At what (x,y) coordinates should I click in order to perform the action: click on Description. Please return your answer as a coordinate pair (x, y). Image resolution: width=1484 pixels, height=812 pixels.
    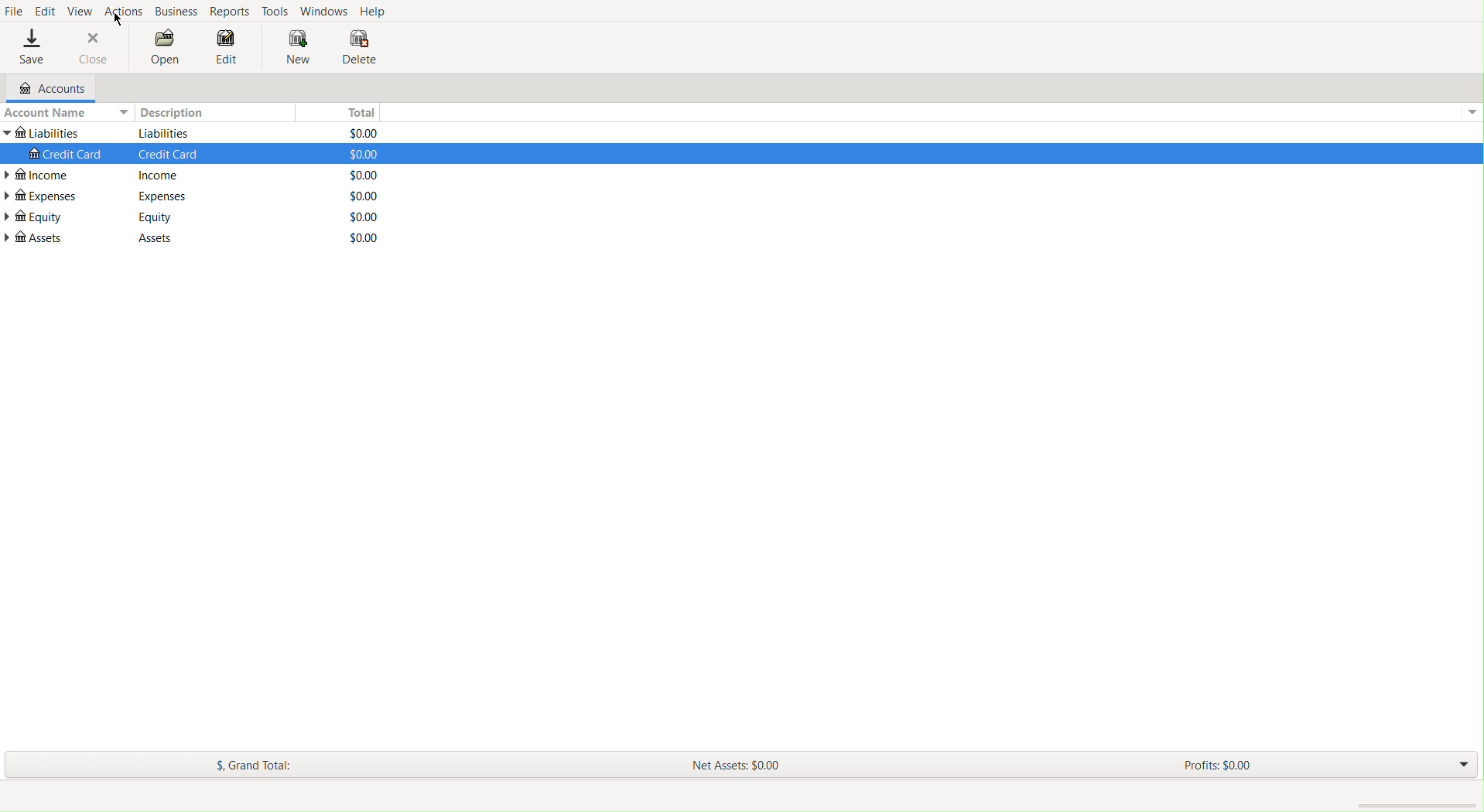
    Looking at the image, I should click on (158, 175).